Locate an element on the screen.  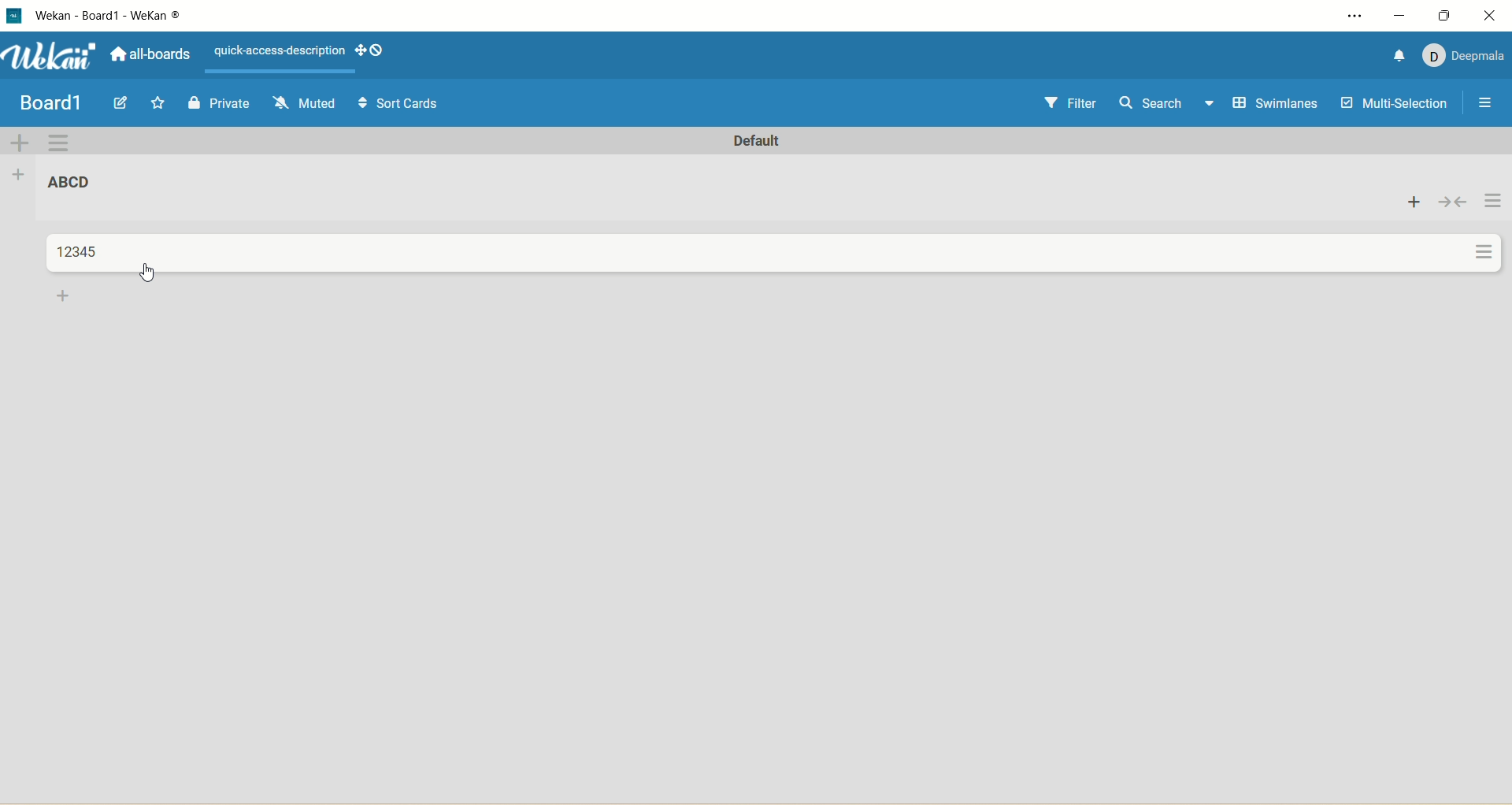
default is located at coordinates (755, 143).